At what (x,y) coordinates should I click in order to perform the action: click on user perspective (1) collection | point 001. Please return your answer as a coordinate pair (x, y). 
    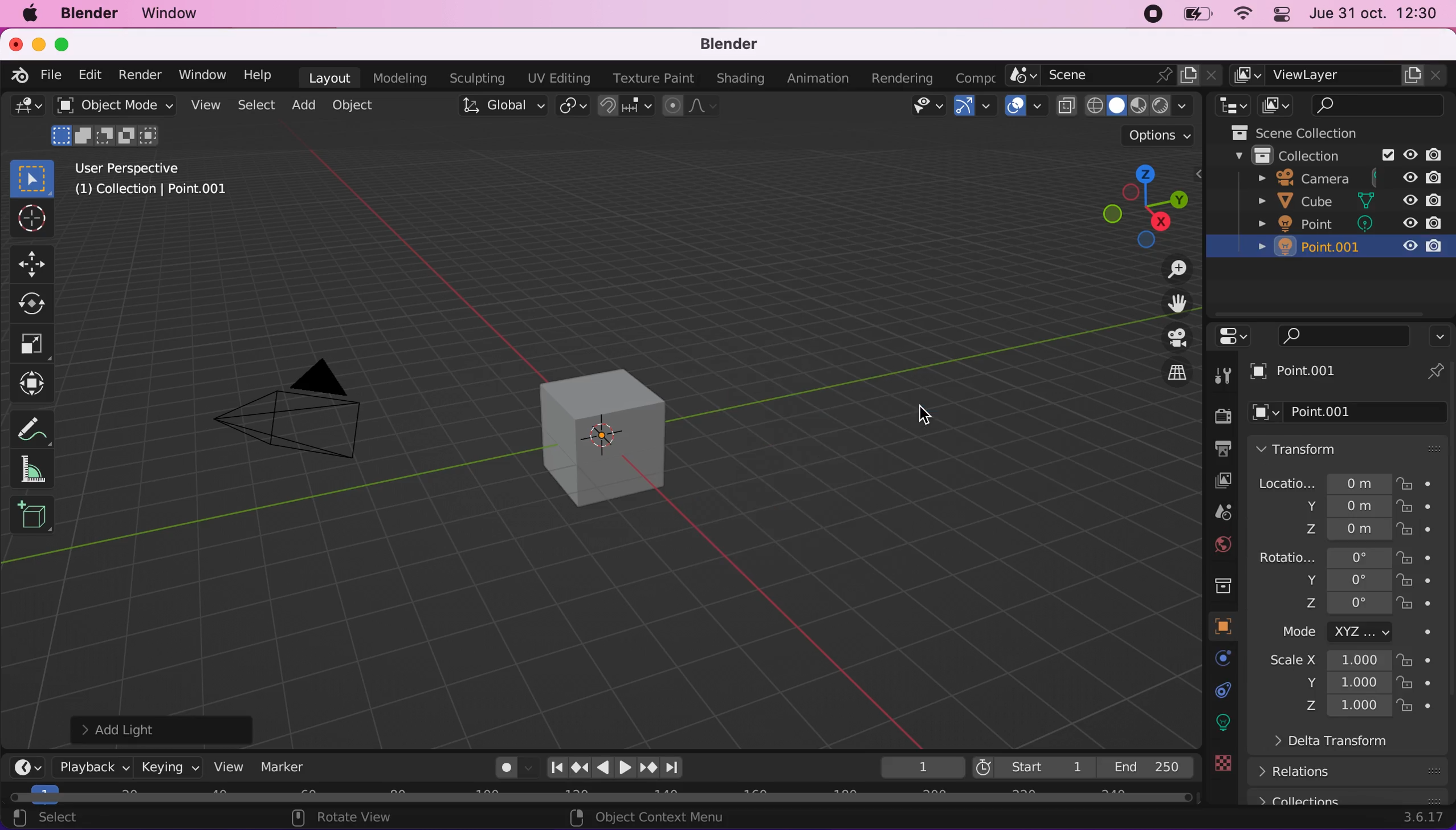
    Looking at the image, I should click on (154, 178).